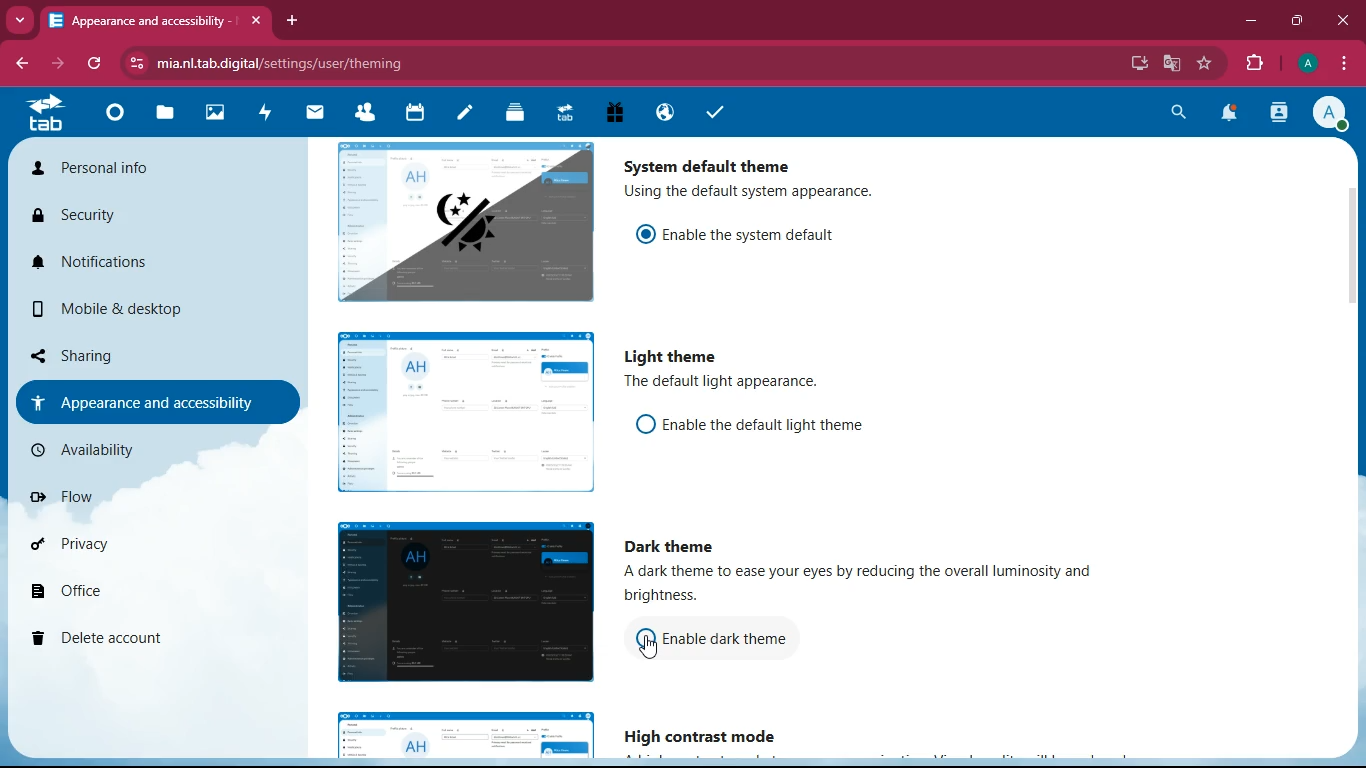 The image size is (1366, 768). What do you see at coordinates (461, 601) in the screenshot?
I see `image` at bounding box center [461, 601].